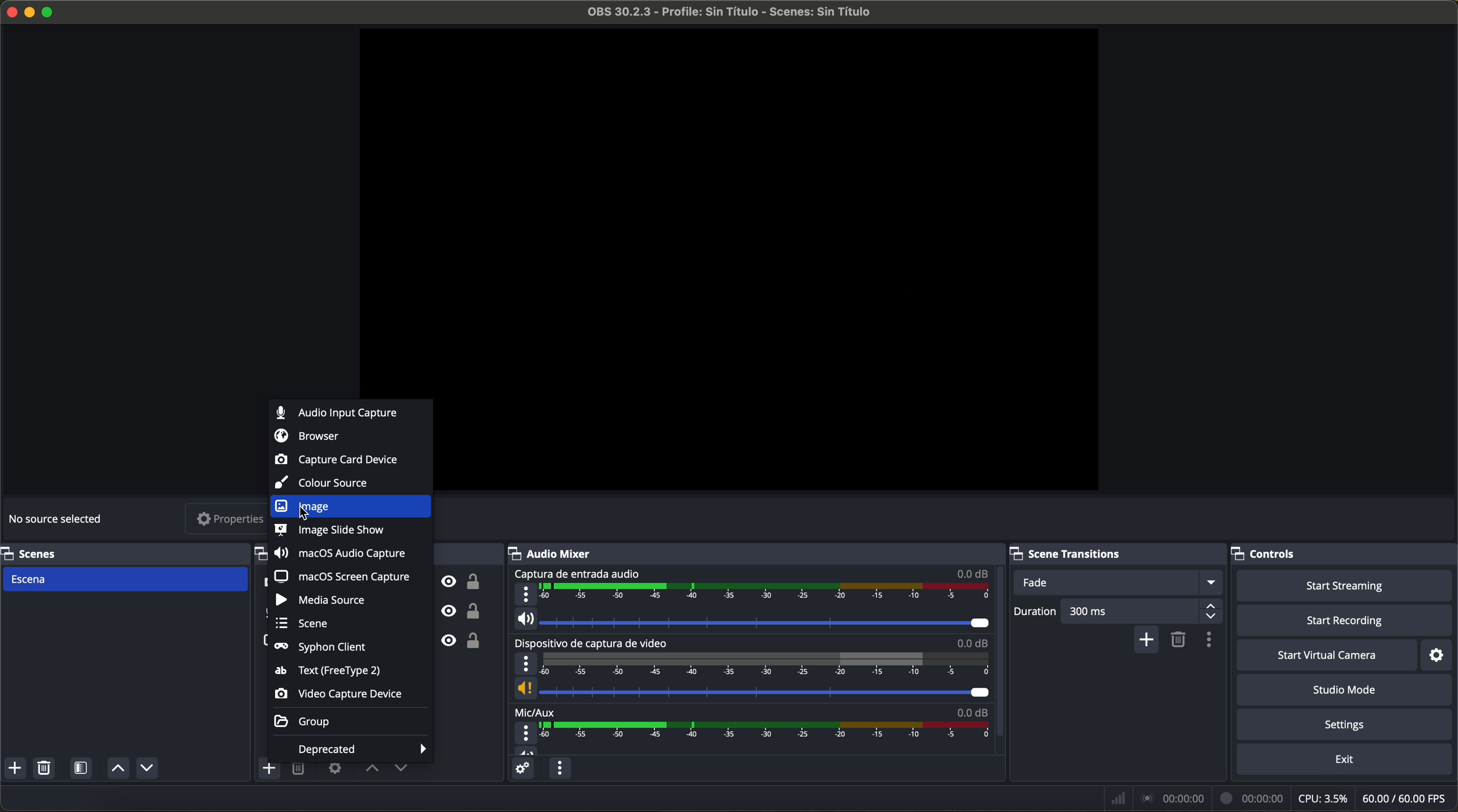  I want to click on more options, so click(527, 733).